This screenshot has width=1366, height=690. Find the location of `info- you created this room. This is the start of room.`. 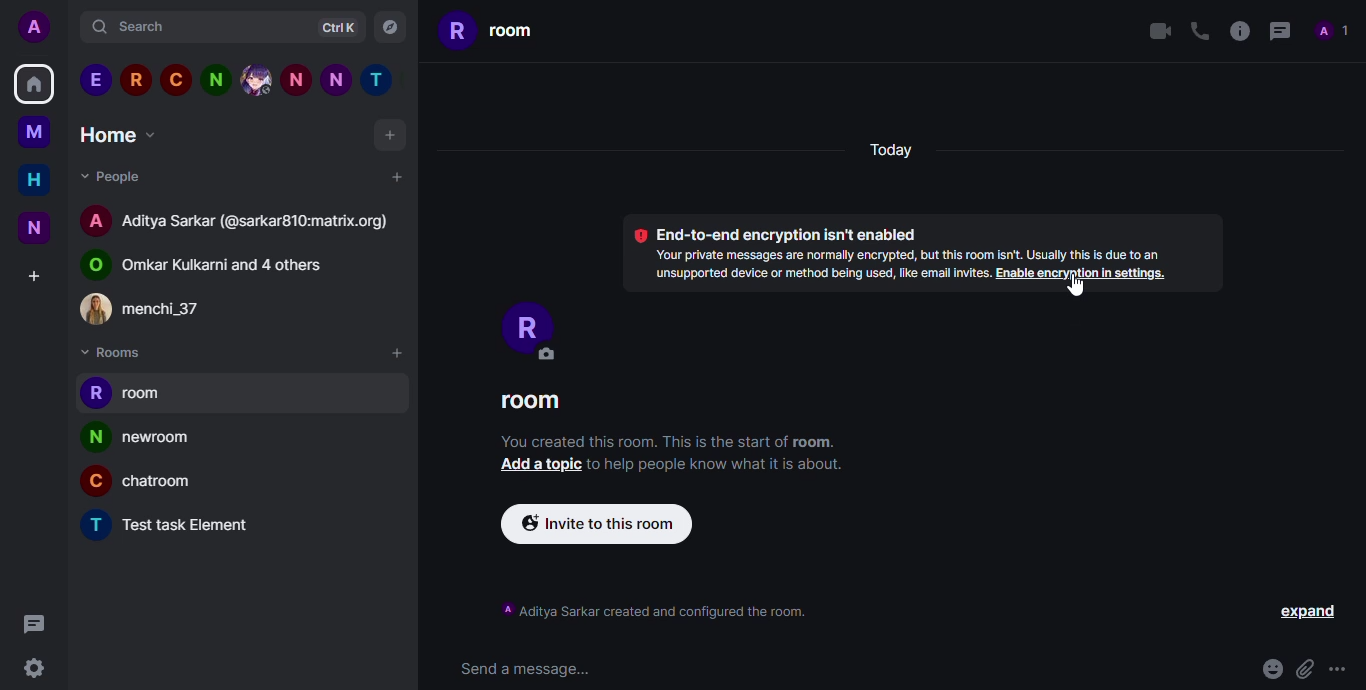

info- you created this room. This is the start of room. is located at coordinates (667, 441).